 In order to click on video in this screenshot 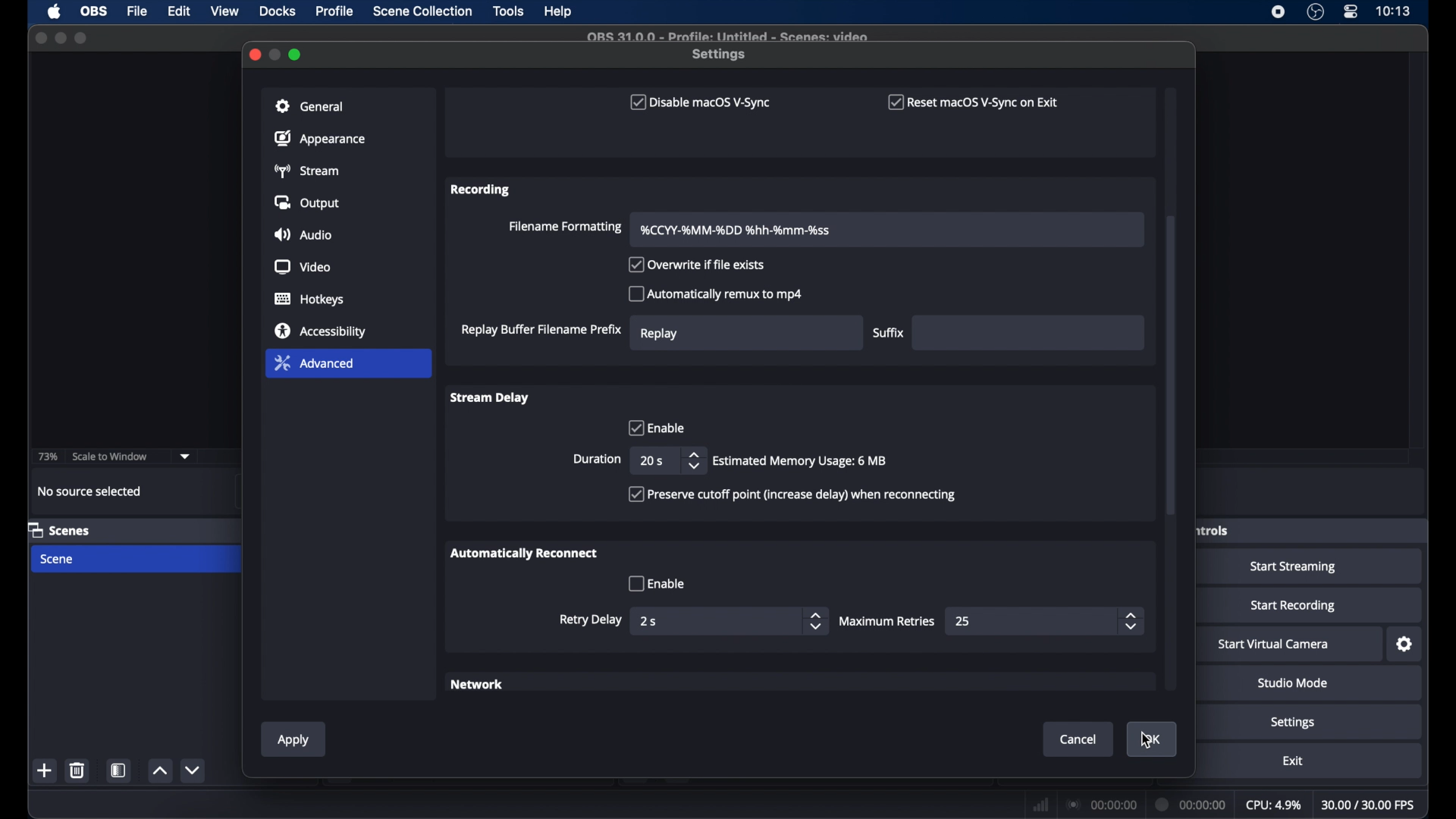, I will do `click(303, 268)`.